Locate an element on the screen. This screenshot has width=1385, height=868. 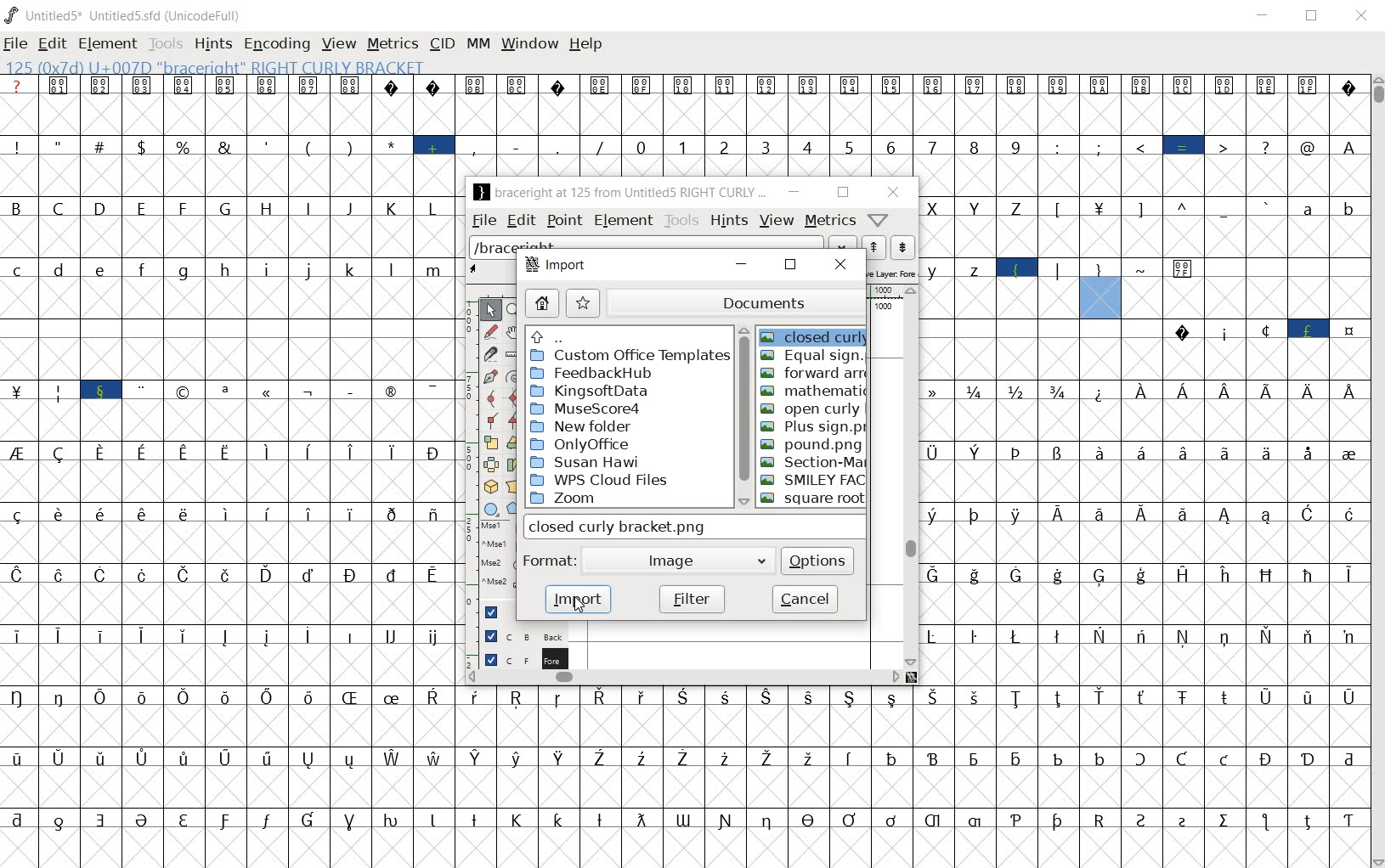
Rotate the selection is located at coordinates (513, 465).